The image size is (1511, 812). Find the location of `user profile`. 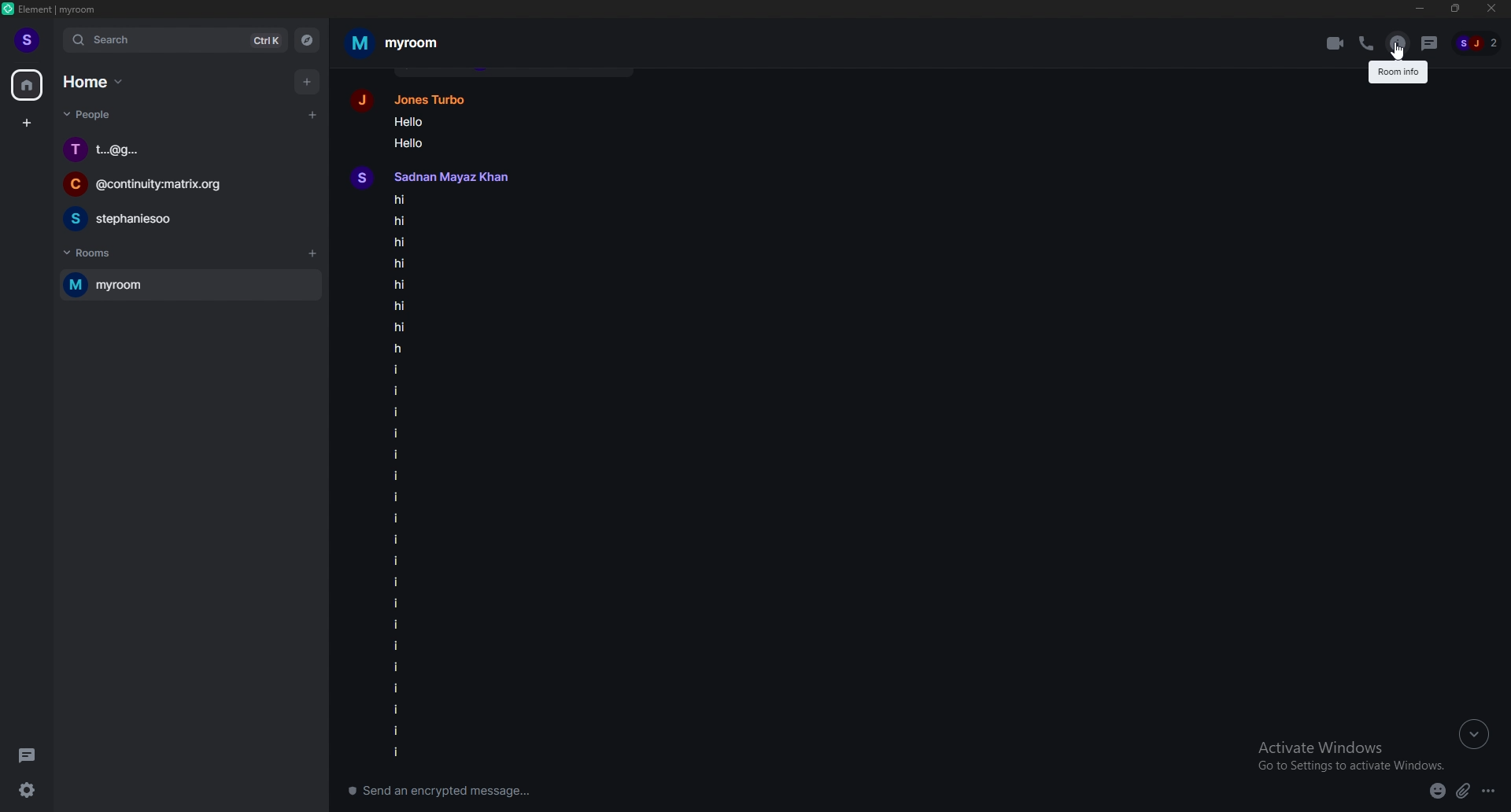

user profile is located at coordinates (447, 176).